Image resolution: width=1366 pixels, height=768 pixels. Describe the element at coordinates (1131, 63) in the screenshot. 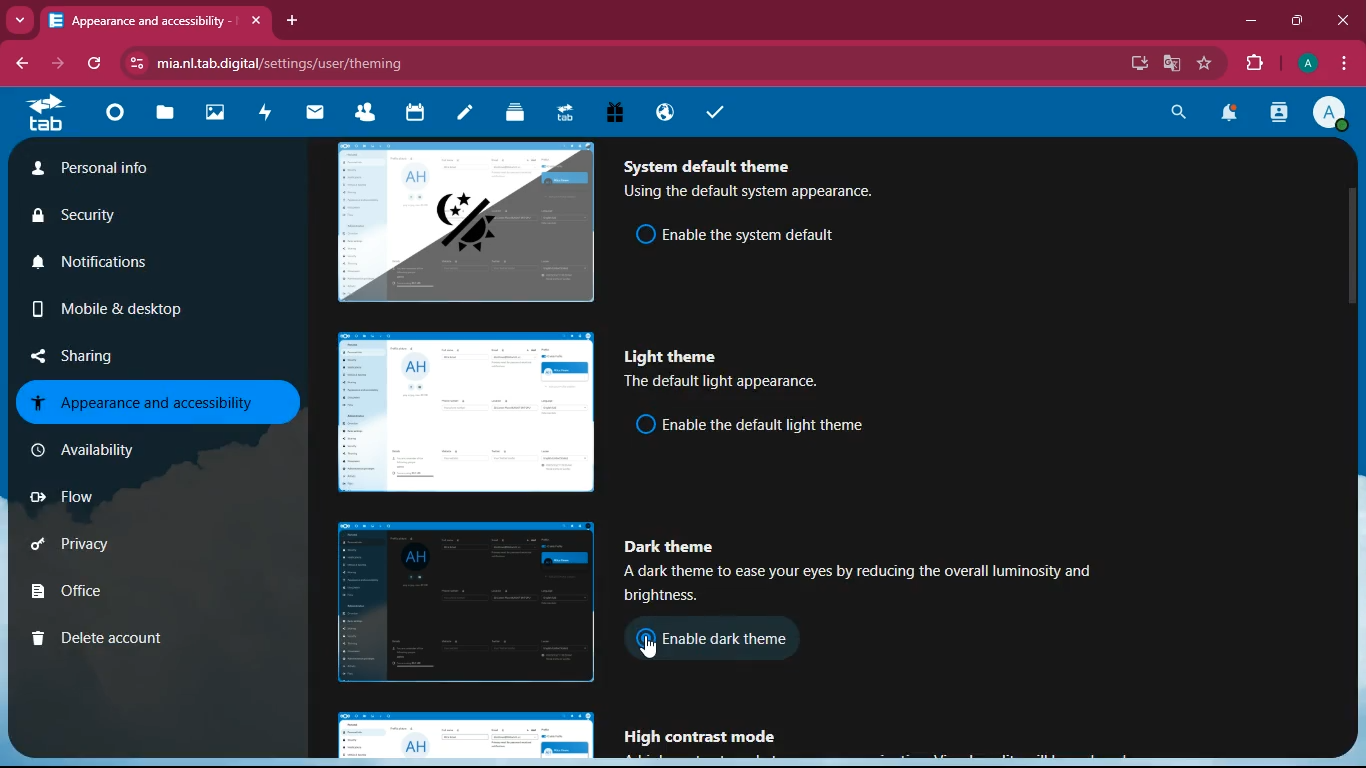

I see `desktop` at that location.